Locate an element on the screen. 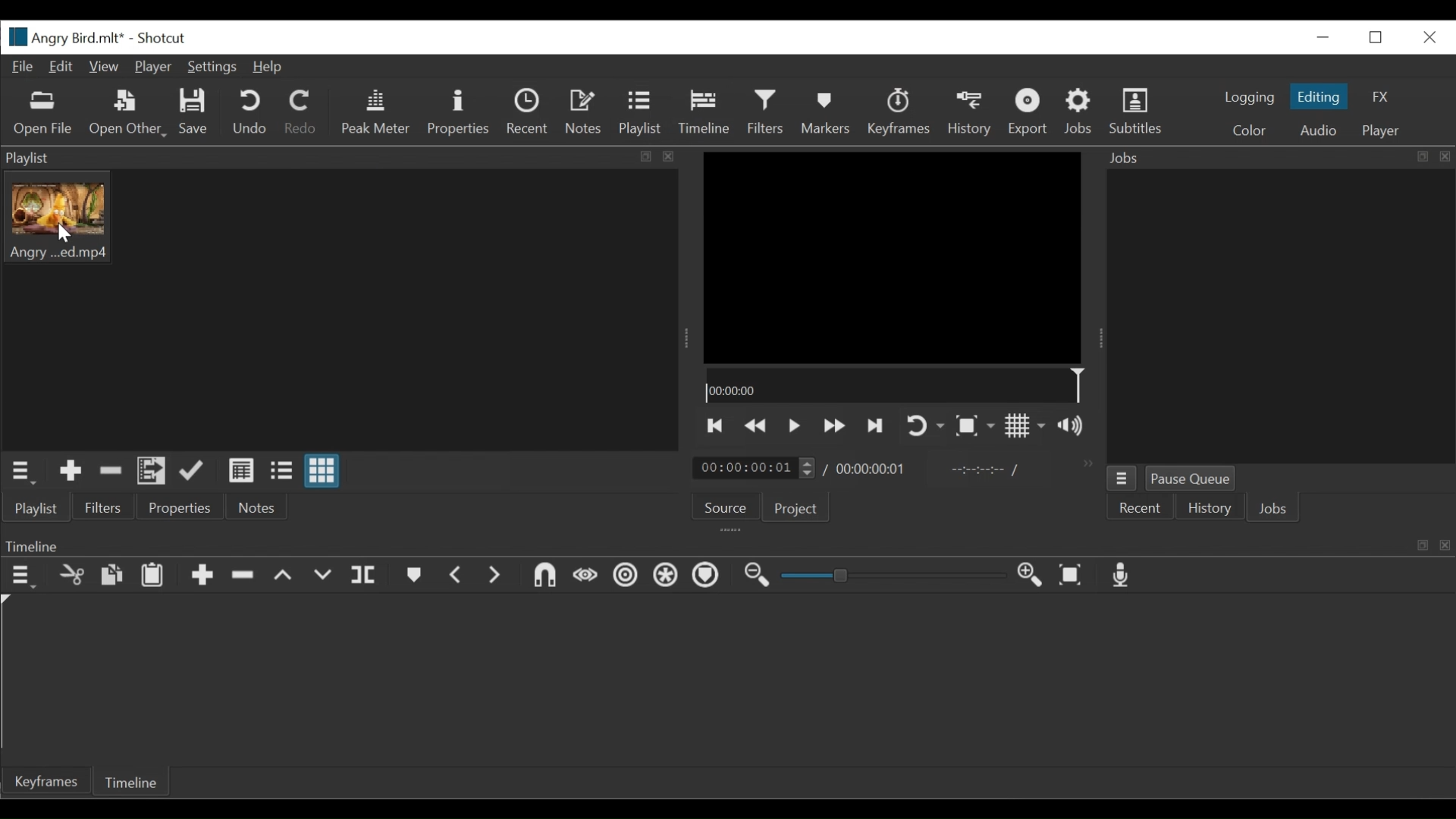  Job menu is located at coordinates (1125, 479).